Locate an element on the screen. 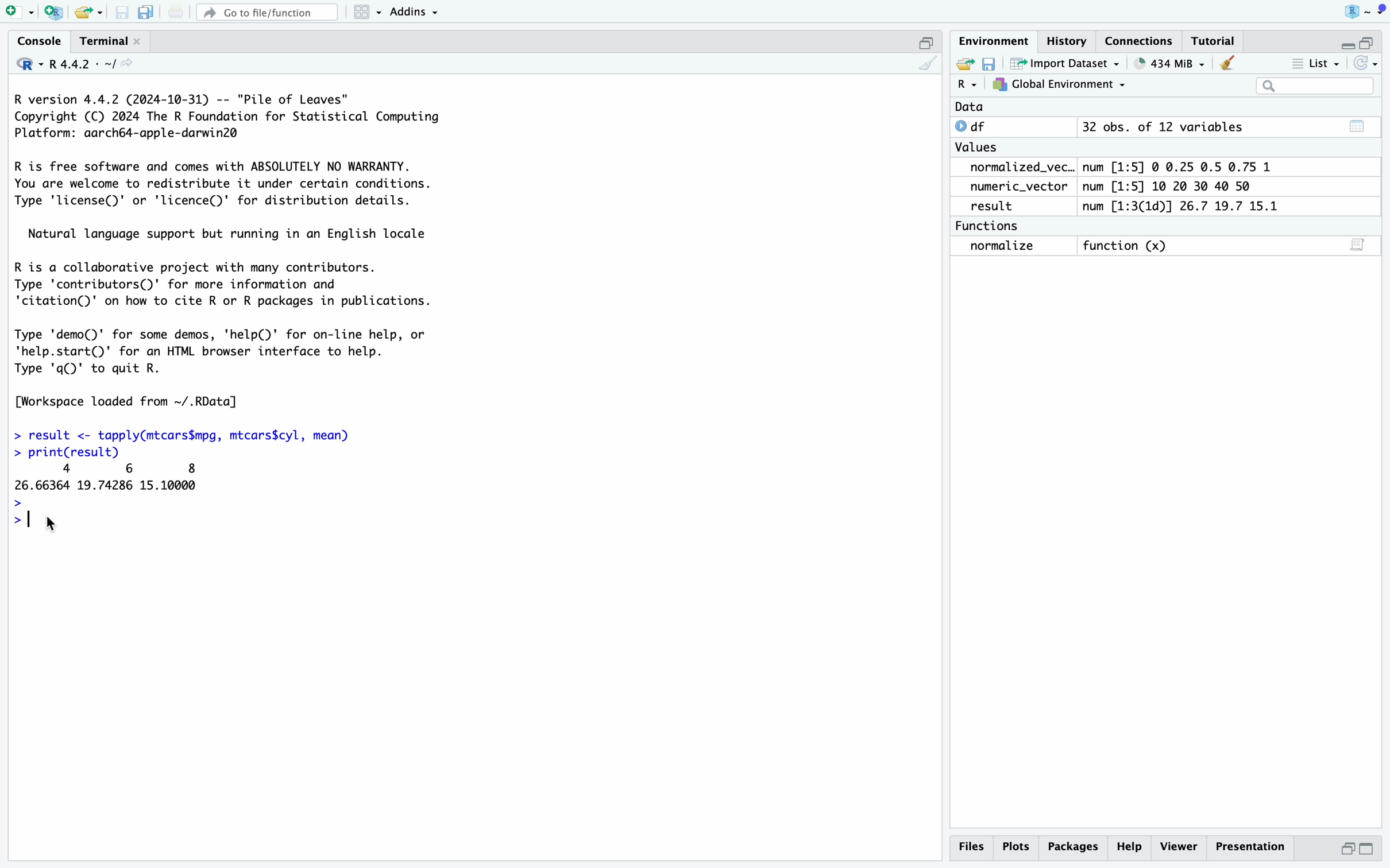 The height and width of the screenshot is (868, 1390). Project is located at coordinates (1365, 11).